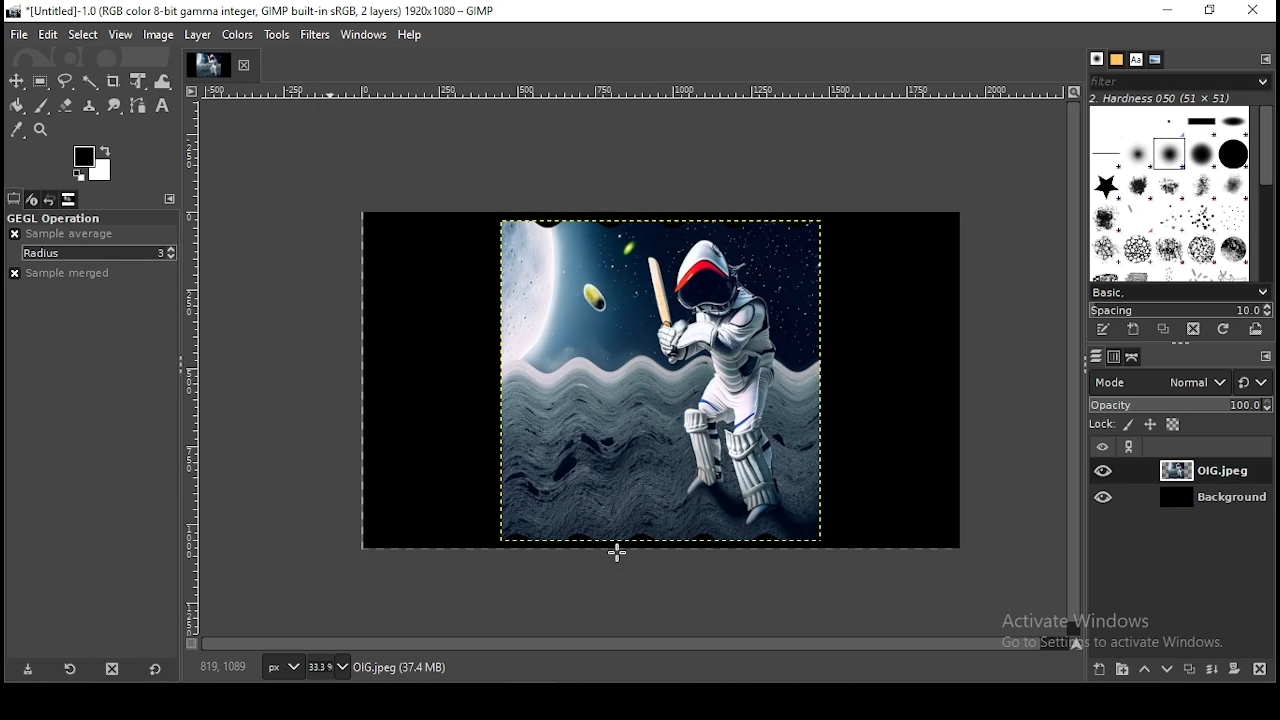  I want to click on tool option, so click(14, 199).